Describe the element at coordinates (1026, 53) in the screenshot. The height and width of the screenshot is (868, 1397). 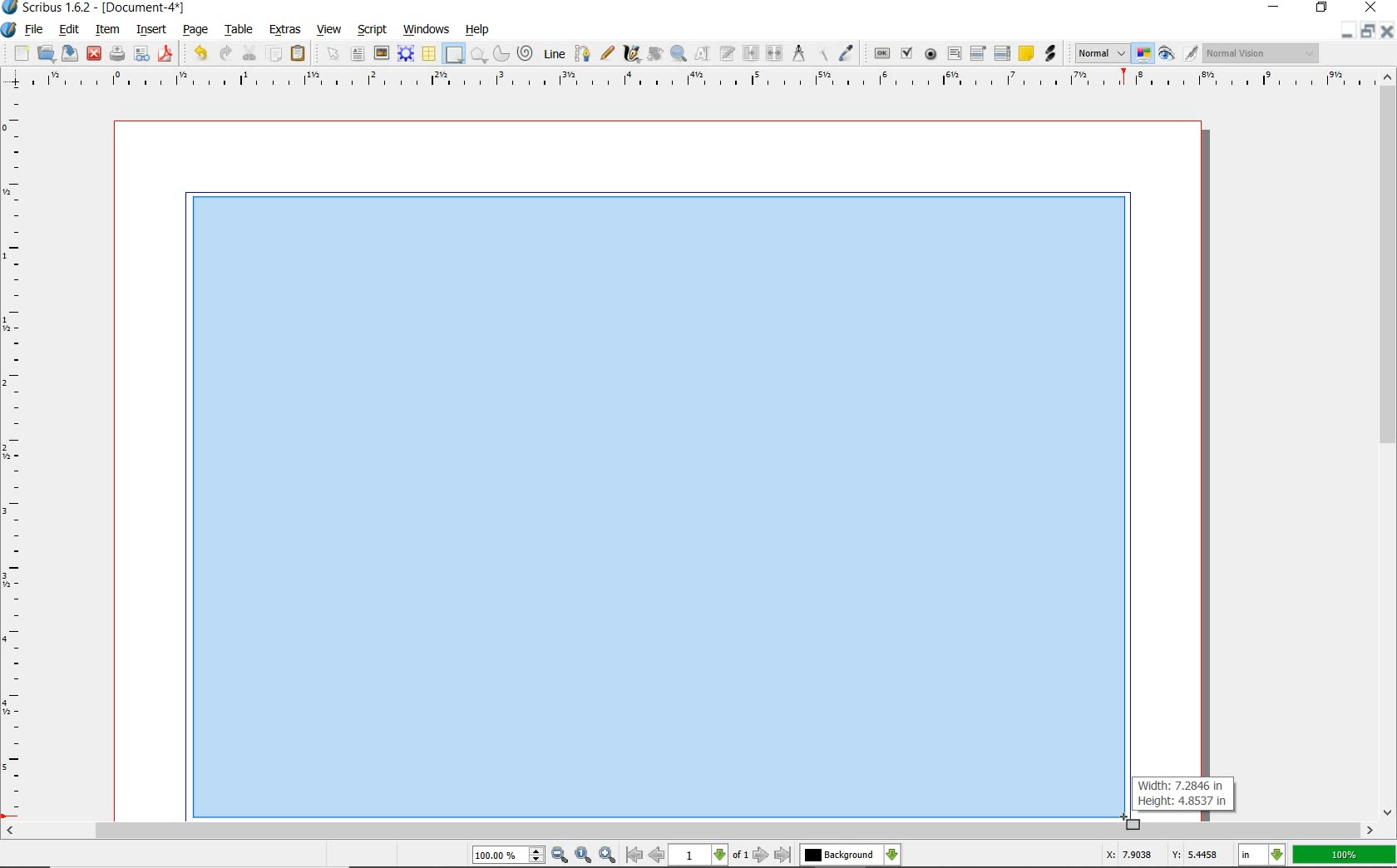
I see `text annotation` at that location.